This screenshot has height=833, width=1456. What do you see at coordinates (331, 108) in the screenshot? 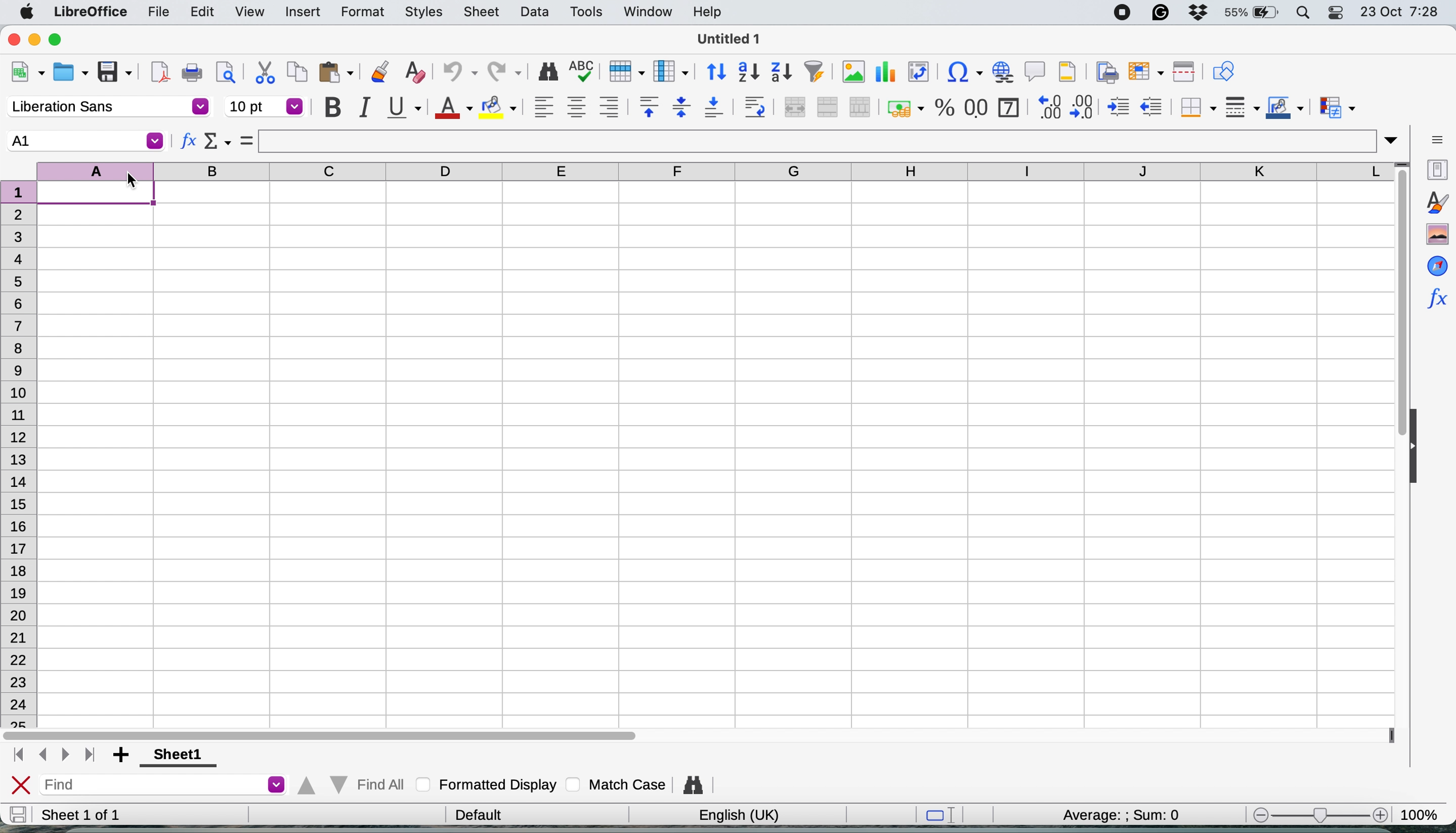
I see `bold` at bounding box center [331, 108].